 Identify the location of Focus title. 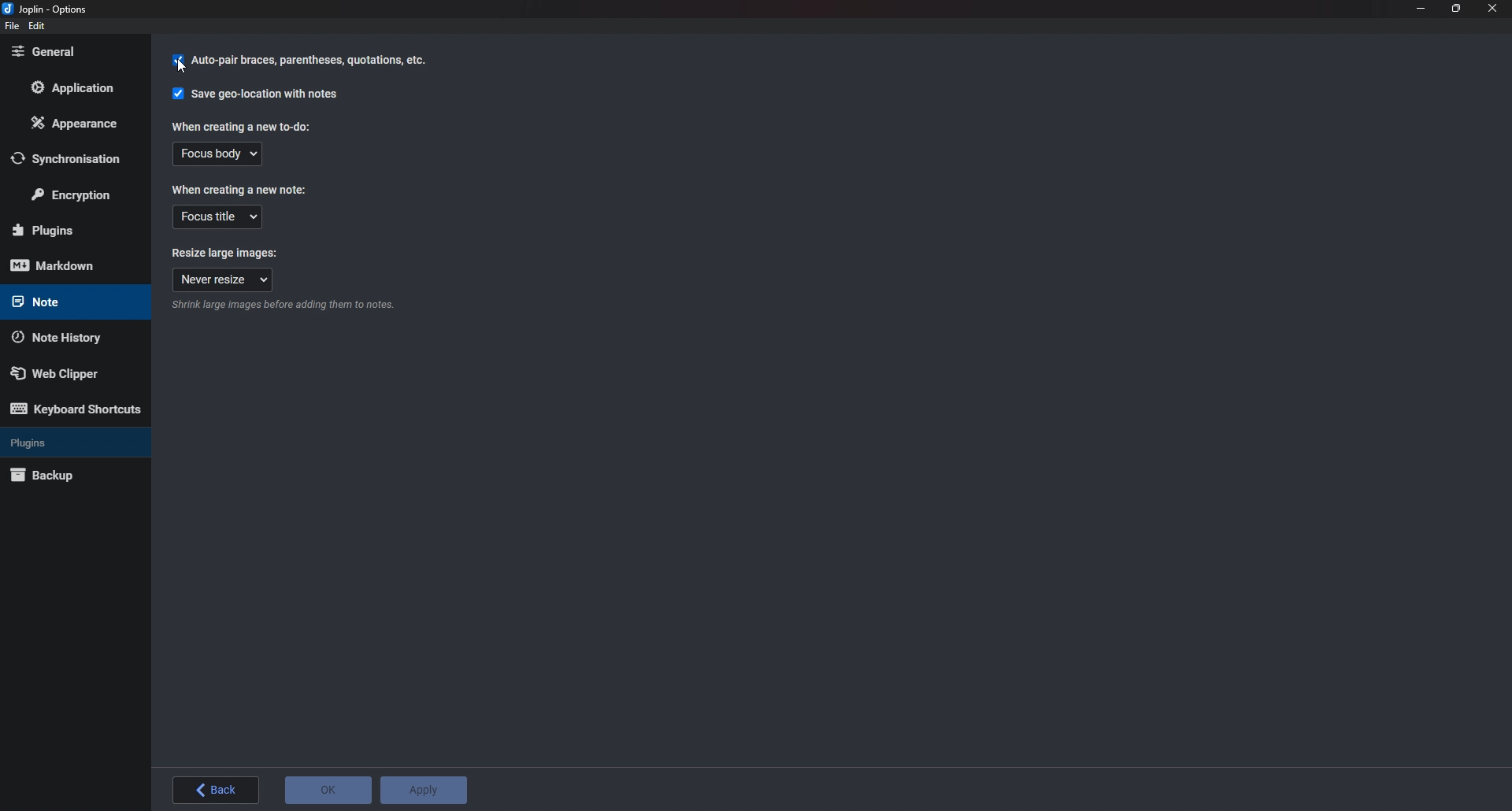
(217, 217).